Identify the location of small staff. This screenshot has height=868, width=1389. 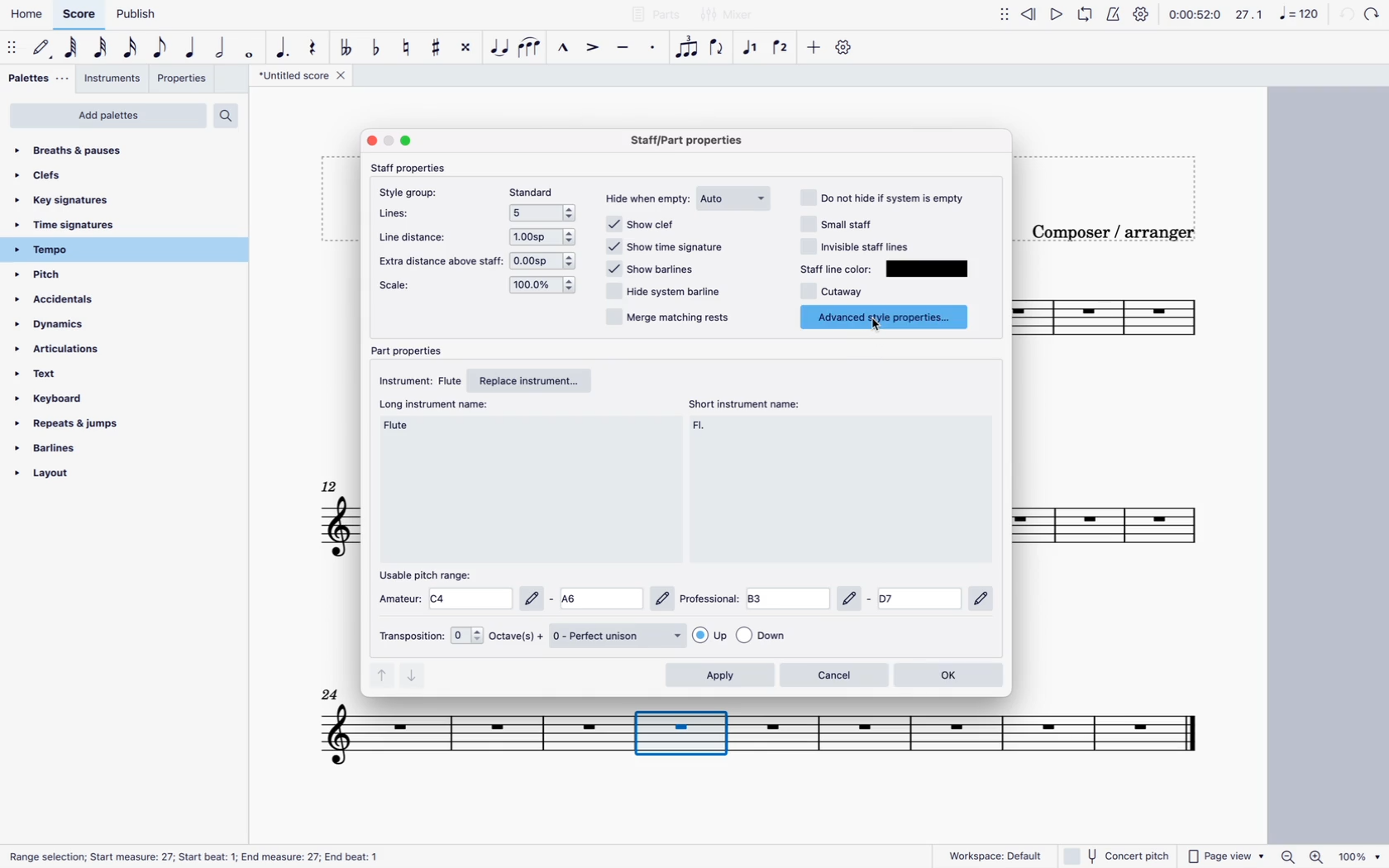
(846, 223).